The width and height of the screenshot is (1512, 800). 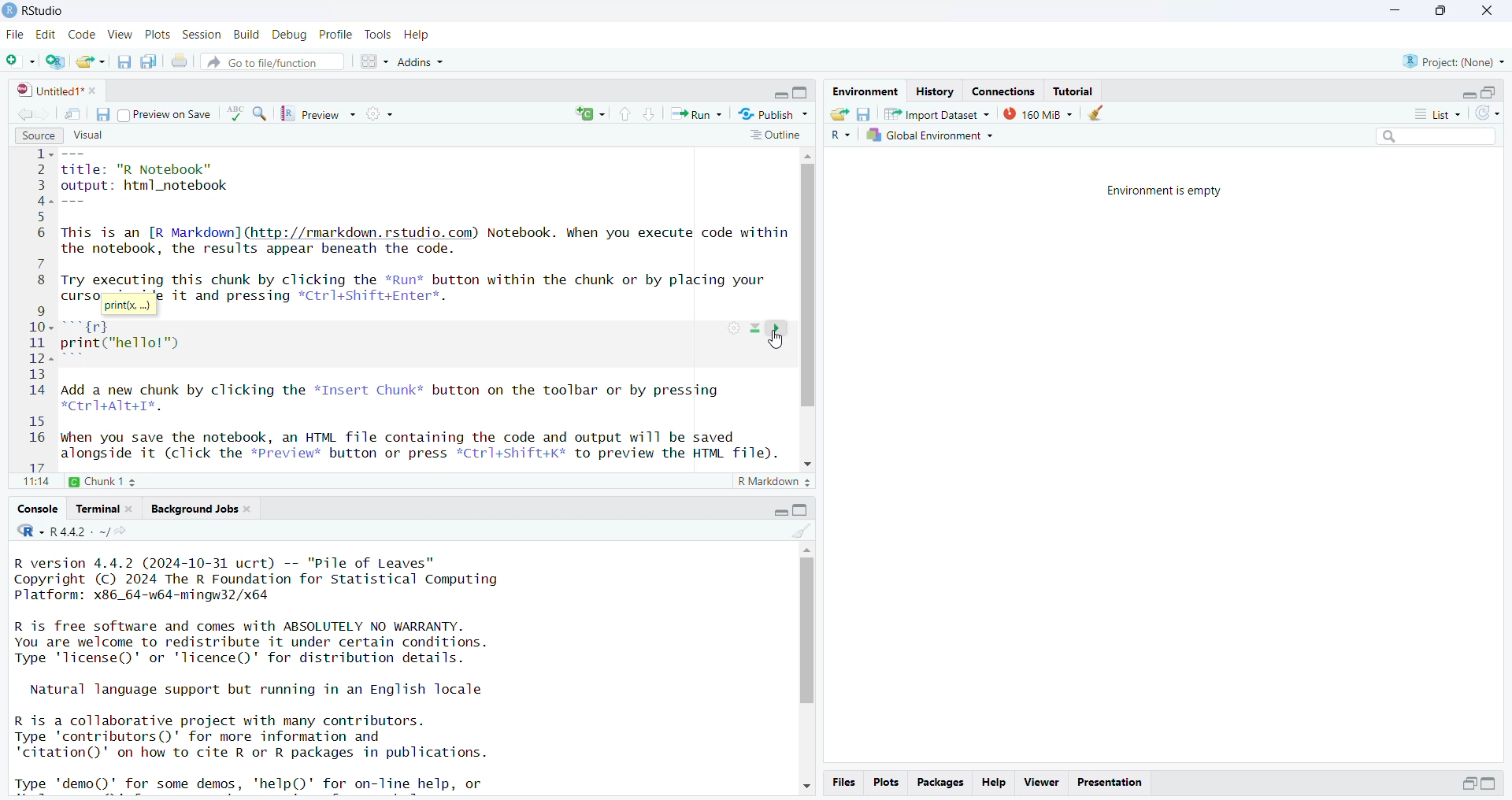 I want to click on preview, so click(x=322, y=114).